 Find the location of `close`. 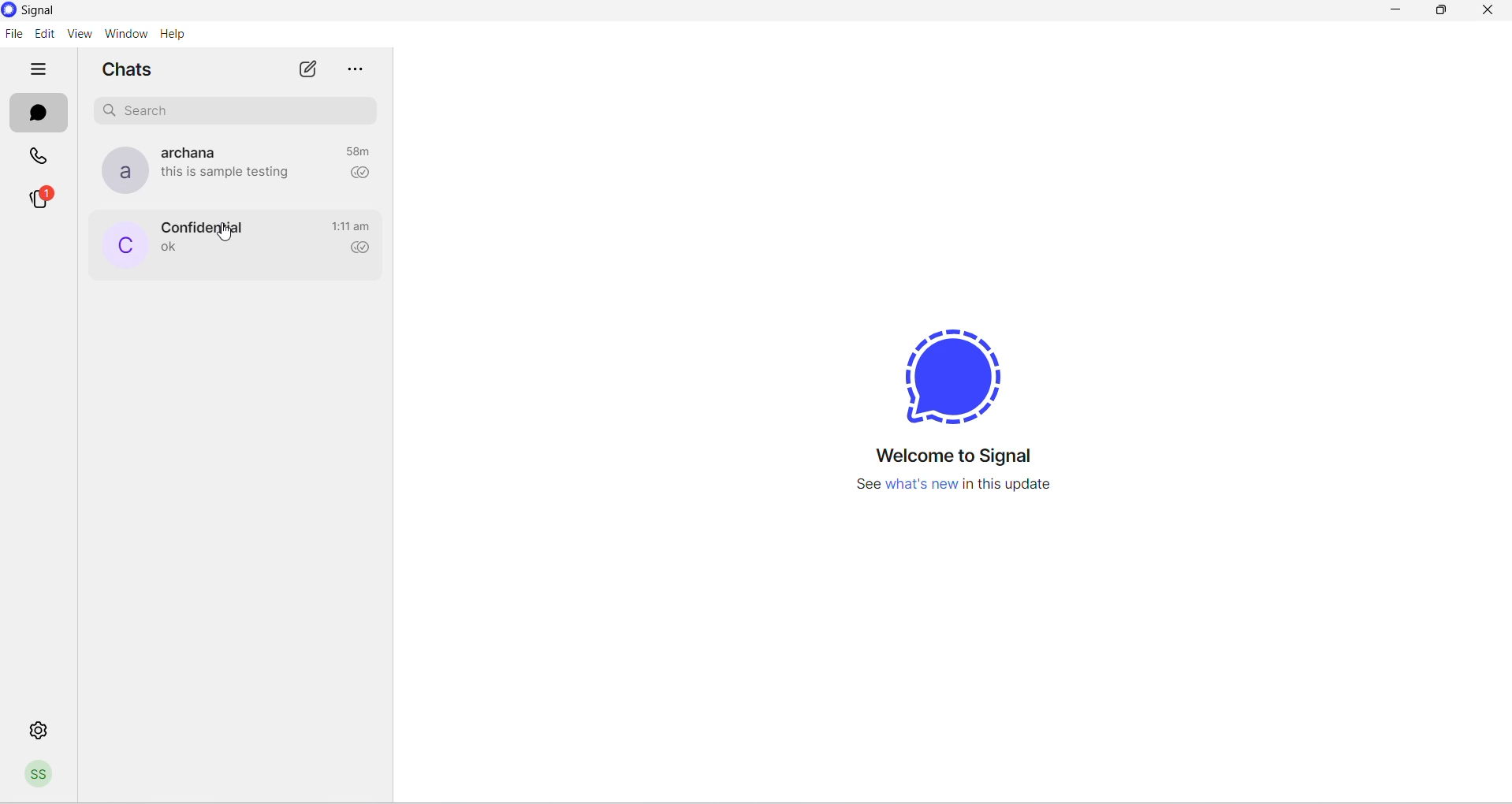

close is located at coordinates (1486, 13).